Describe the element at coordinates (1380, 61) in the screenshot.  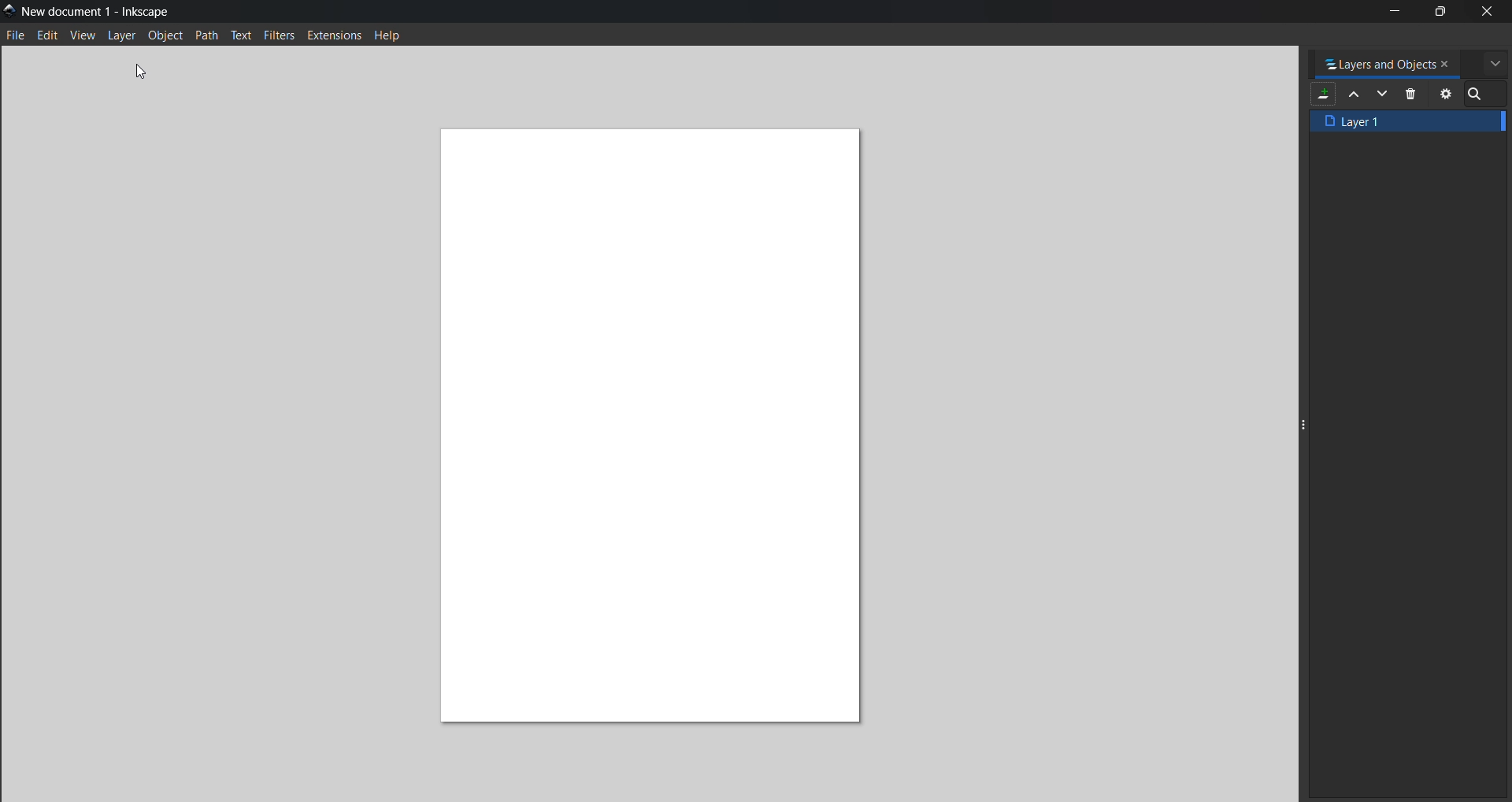
I see `layers and objects tab` at that location.